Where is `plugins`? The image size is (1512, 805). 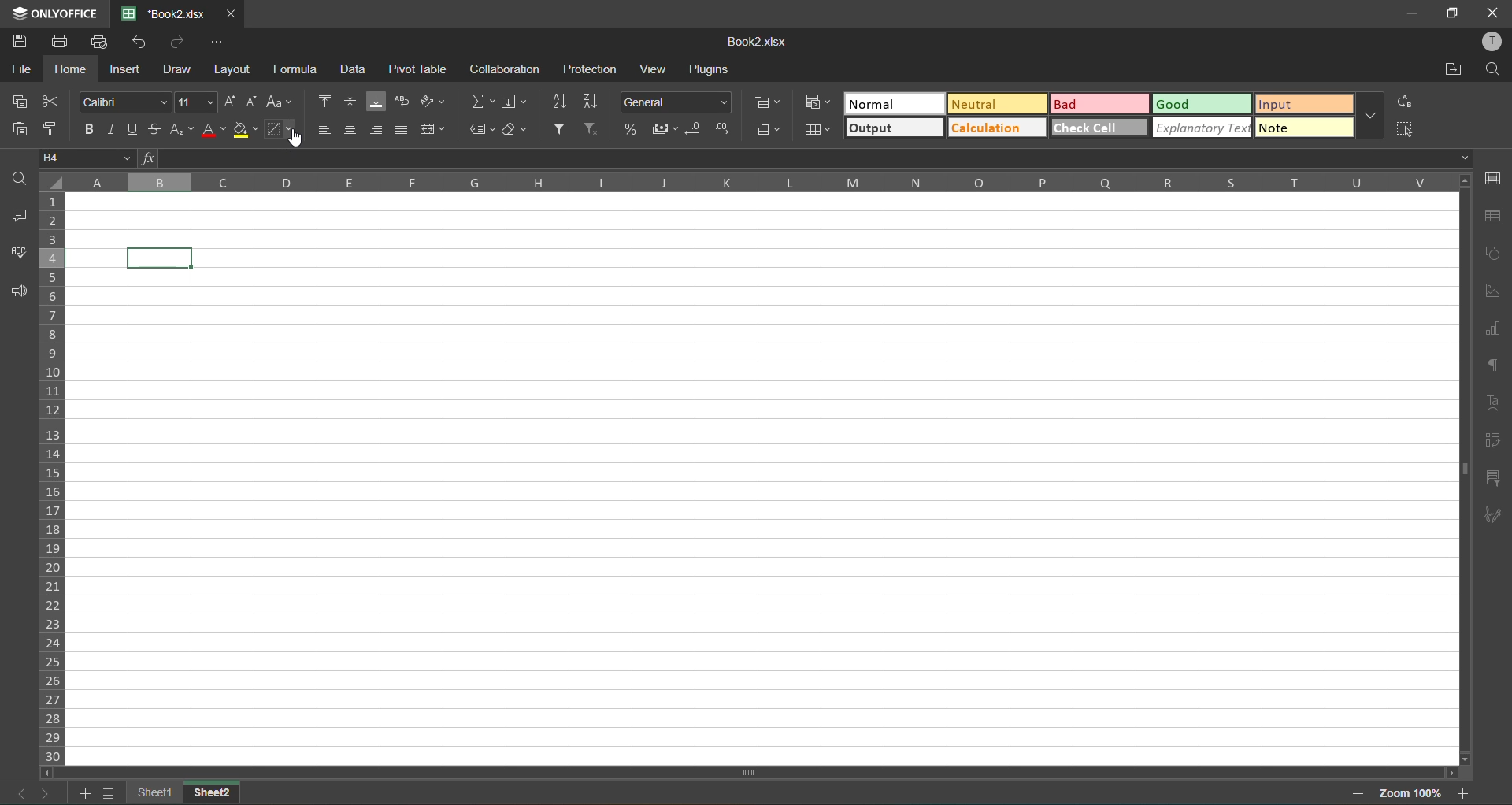 plugins is located at coordinates (707, 69).